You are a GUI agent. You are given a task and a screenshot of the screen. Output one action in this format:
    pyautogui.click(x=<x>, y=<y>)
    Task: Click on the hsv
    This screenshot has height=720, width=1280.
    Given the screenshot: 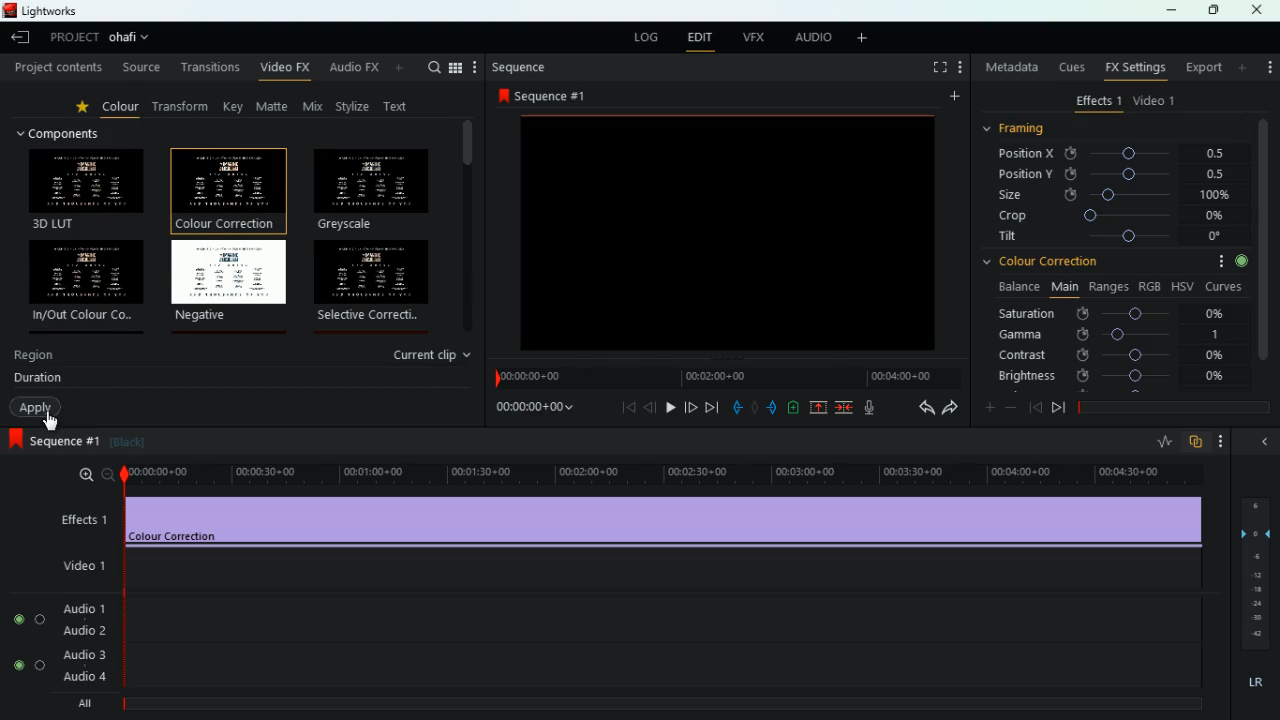 What is the action you would take?
    pyautogui.click(x=1184, y=286)
    